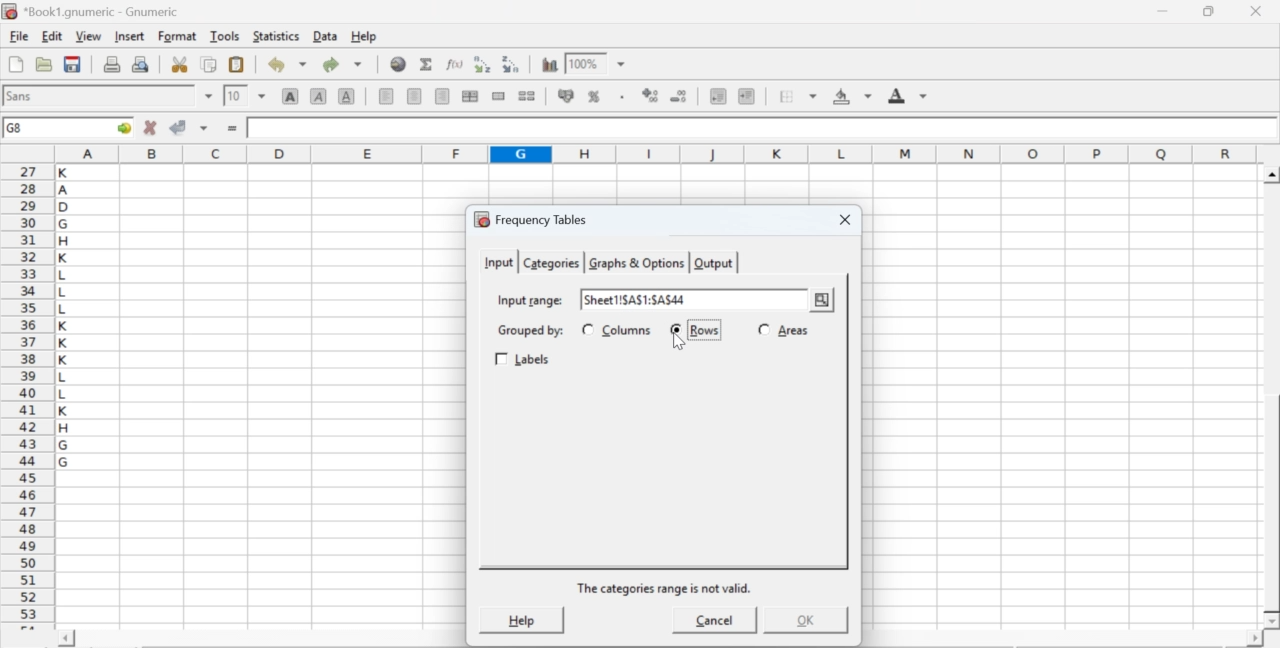 The image size is (1280, 648). Describe the element at coordinates (320, 95) in the screenshot. I see `italic` at that location.